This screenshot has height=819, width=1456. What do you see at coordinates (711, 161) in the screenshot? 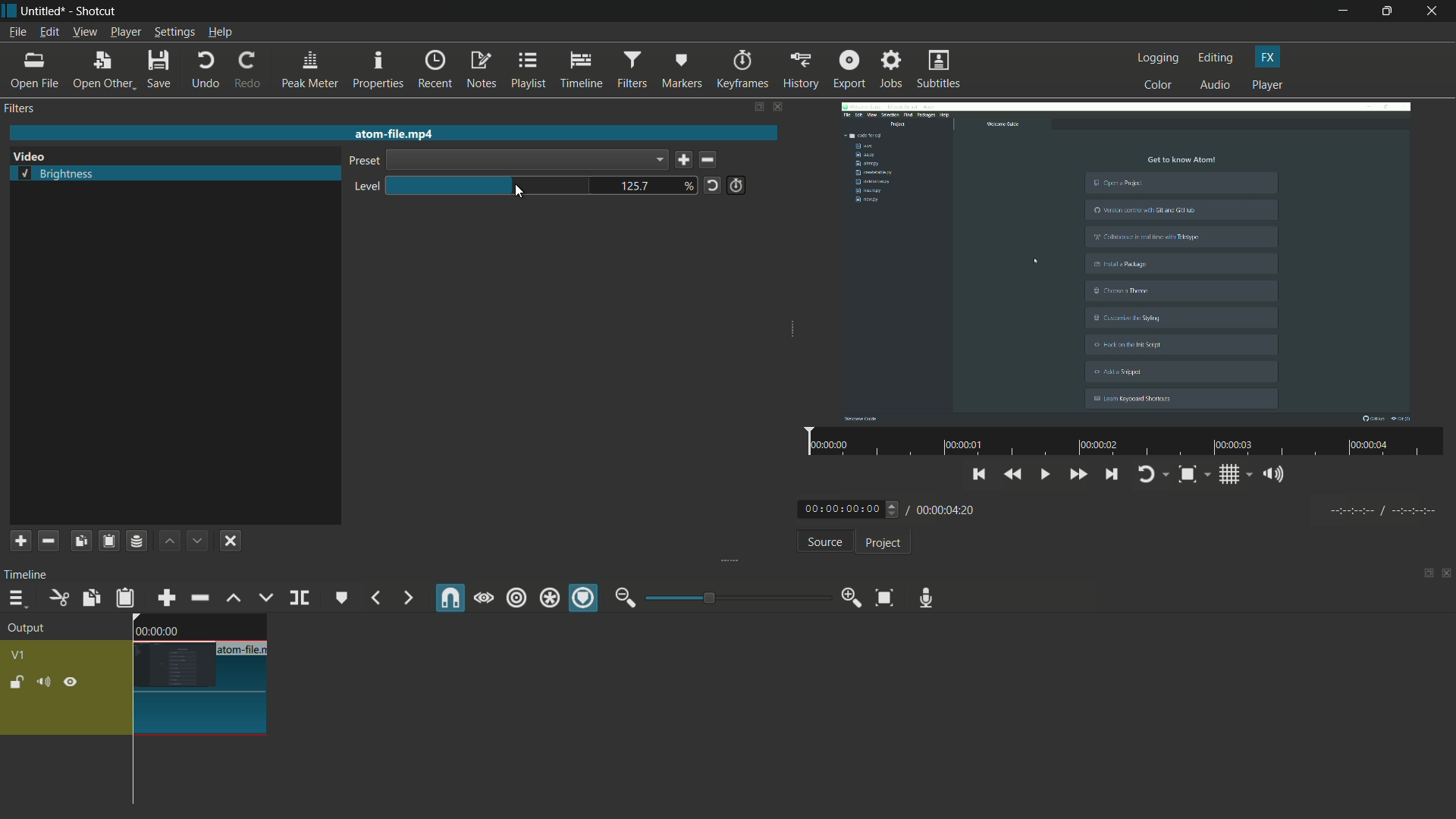
I see `delete` at bounding box center [711, 161].